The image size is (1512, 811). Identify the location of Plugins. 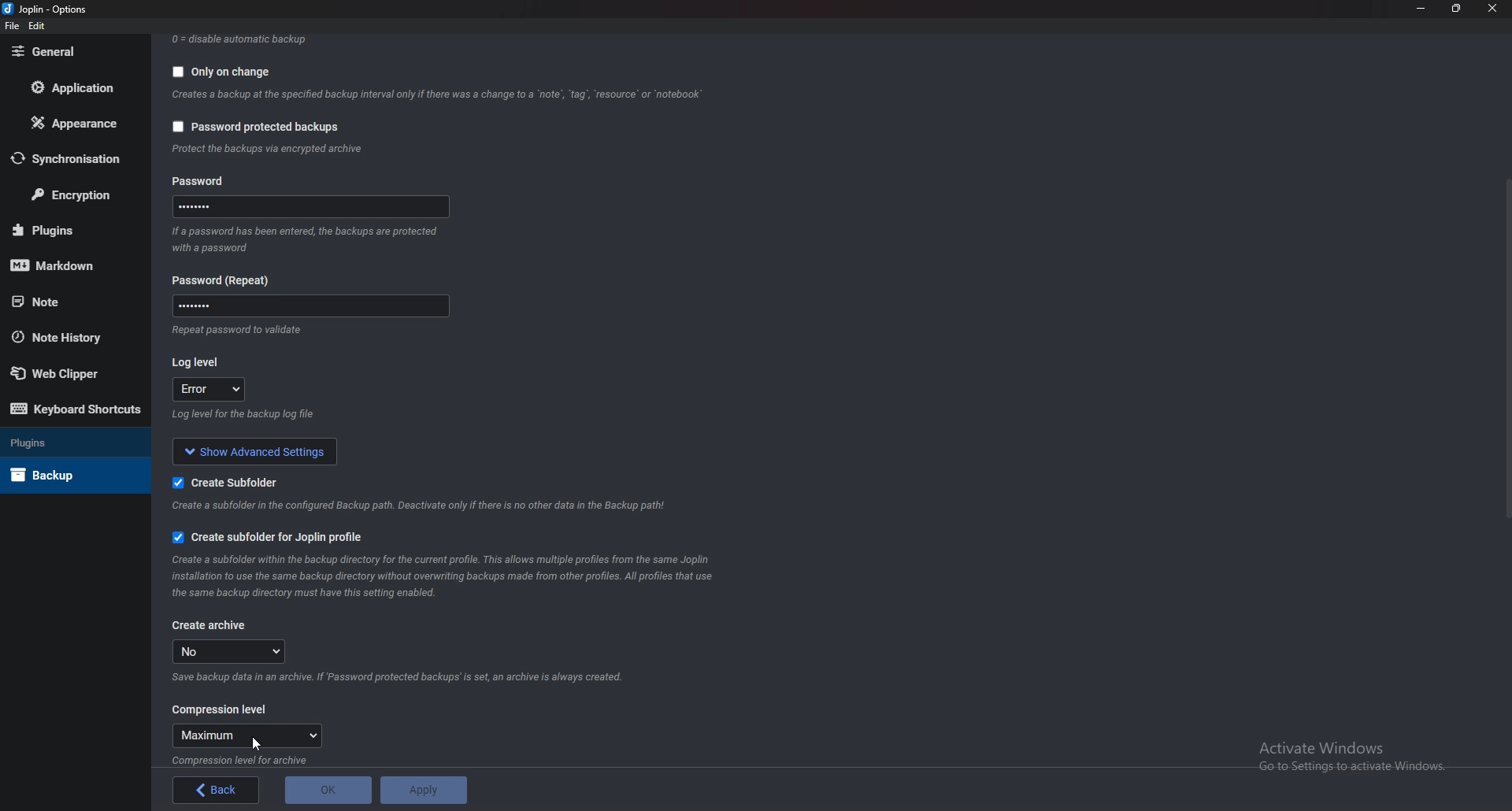
(71, 229).